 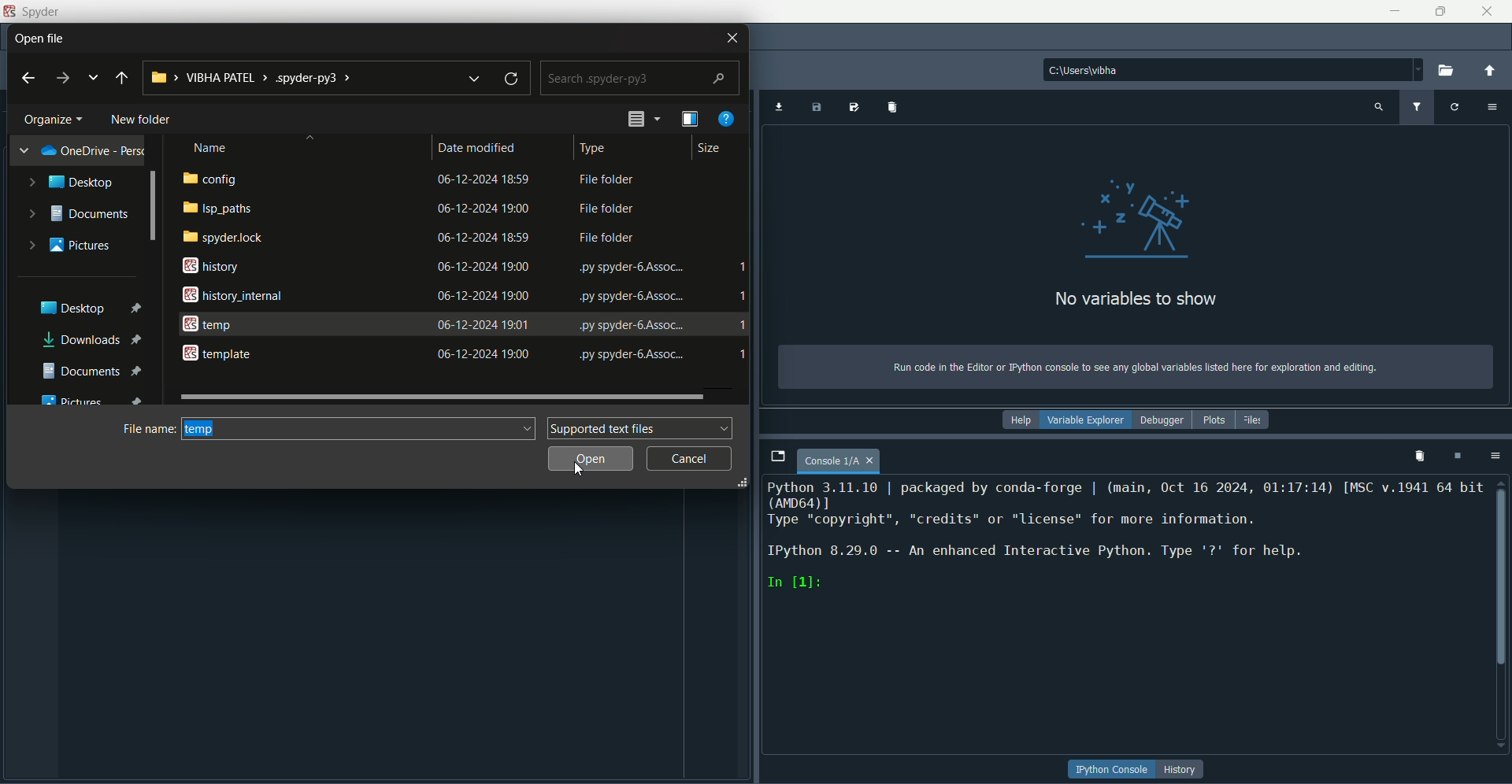 What do you see at coordinates (643, 118) in the screenshot?
I see `preview pane` at bounding box center [643, 118].